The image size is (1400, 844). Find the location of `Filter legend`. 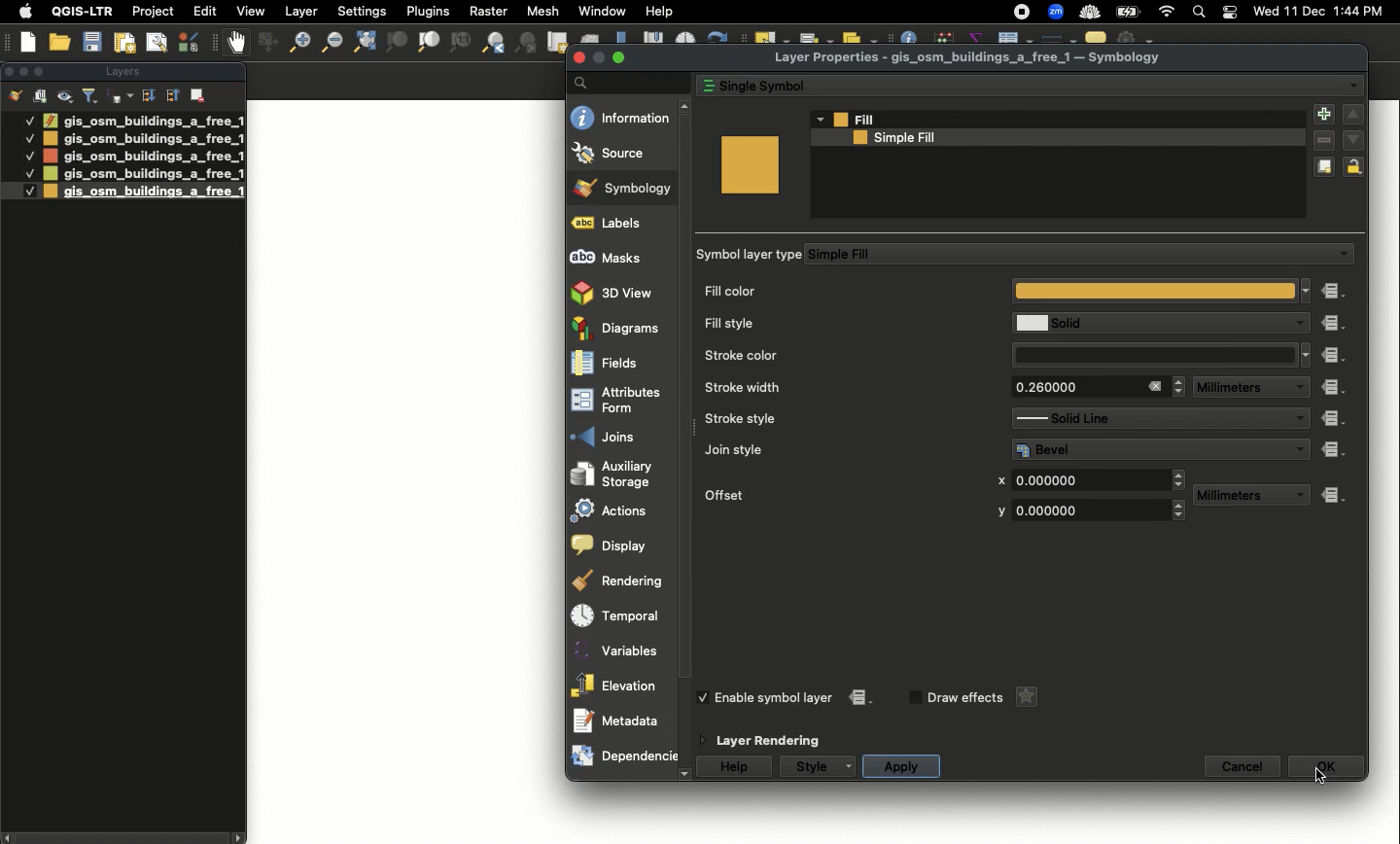

Filter legend is located at coordinates (91, 96).